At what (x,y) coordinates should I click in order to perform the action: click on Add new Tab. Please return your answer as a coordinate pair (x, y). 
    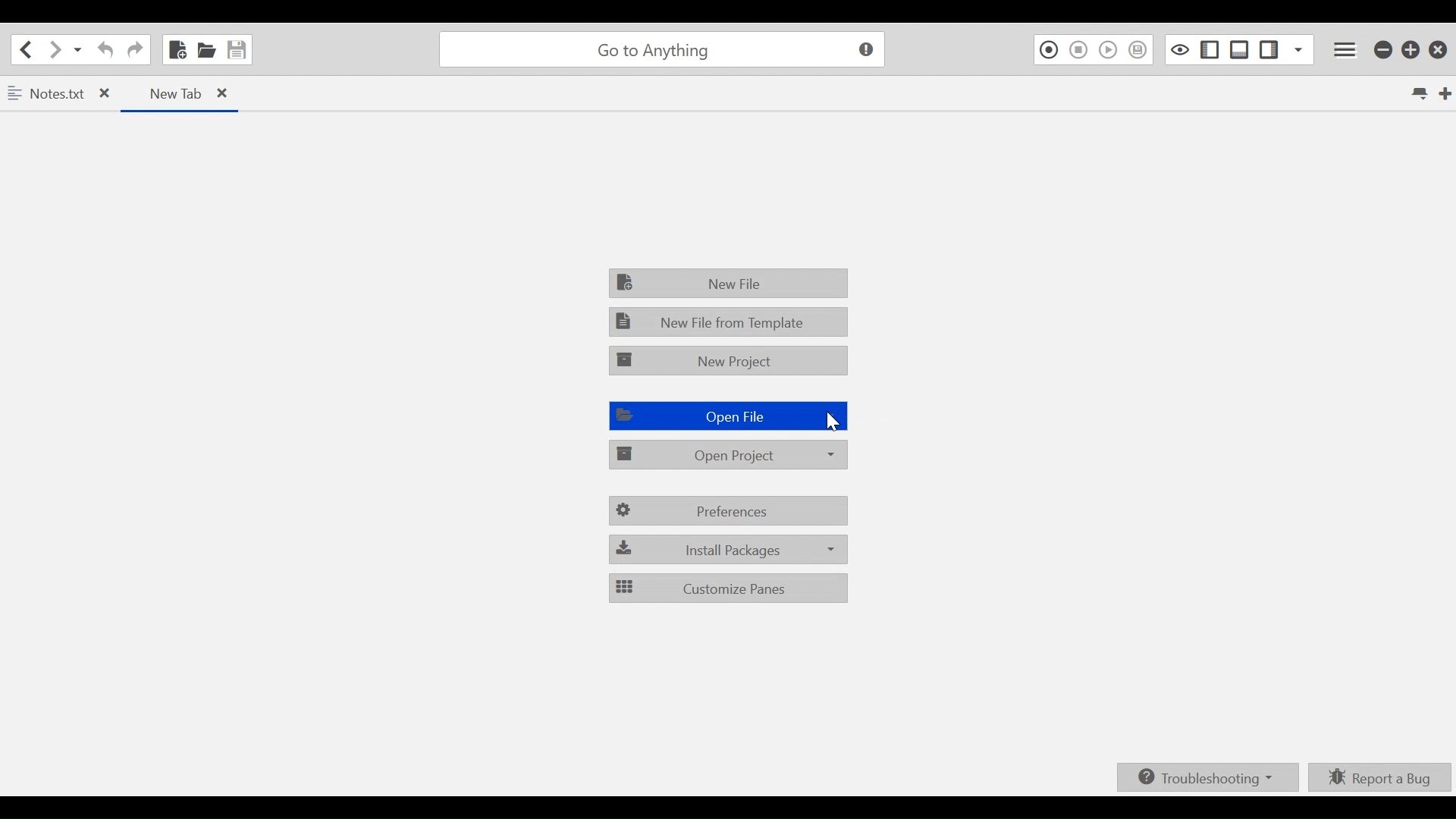
    Looking at the image, I should click on (1447, 93).